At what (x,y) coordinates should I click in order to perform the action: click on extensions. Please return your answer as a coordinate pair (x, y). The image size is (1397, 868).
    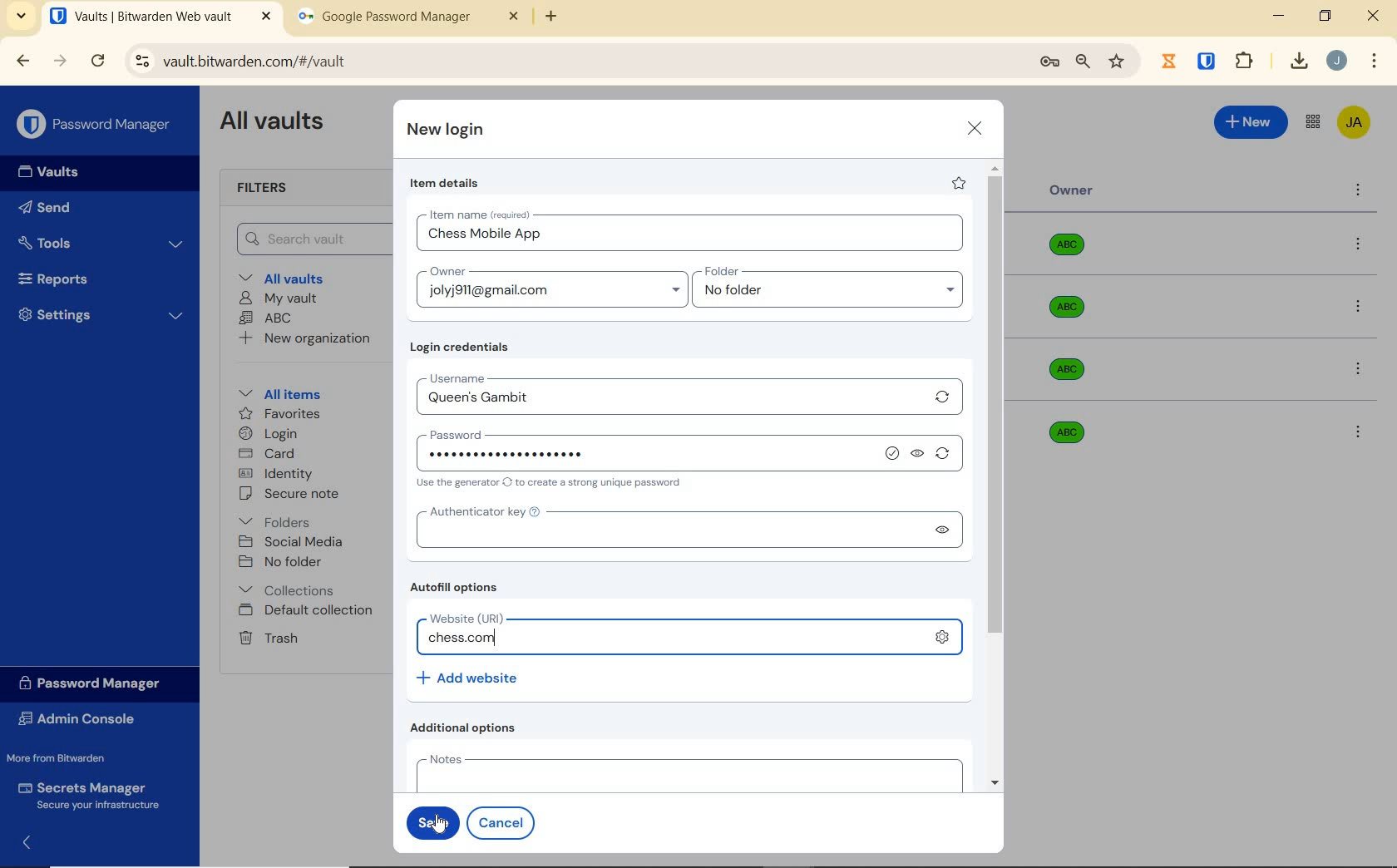
    Looking at the image, I should click on (1208, 60).